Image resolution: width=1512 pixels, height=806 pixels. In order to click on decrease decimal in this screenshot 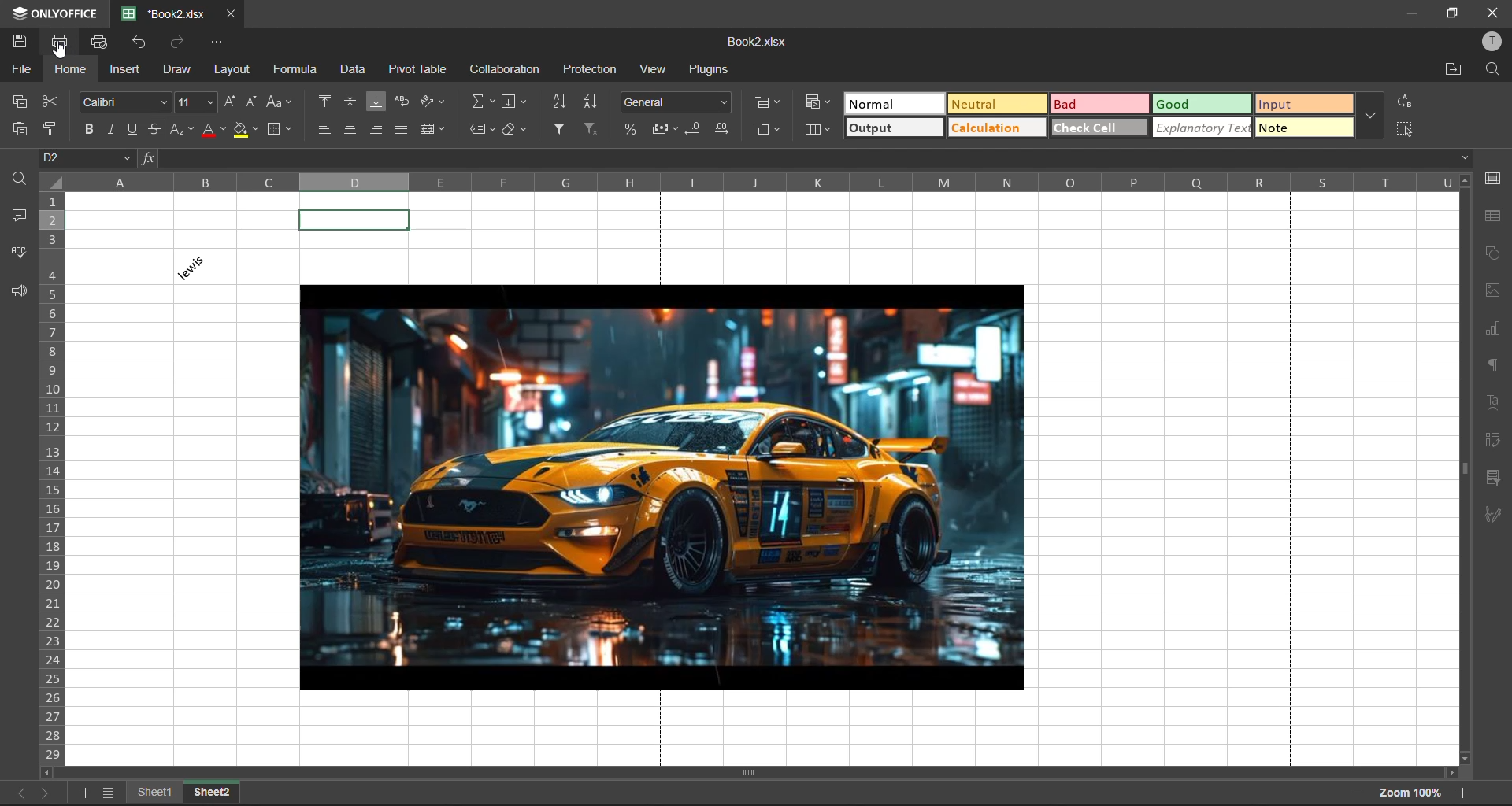, I will do `click(694, 130)`.